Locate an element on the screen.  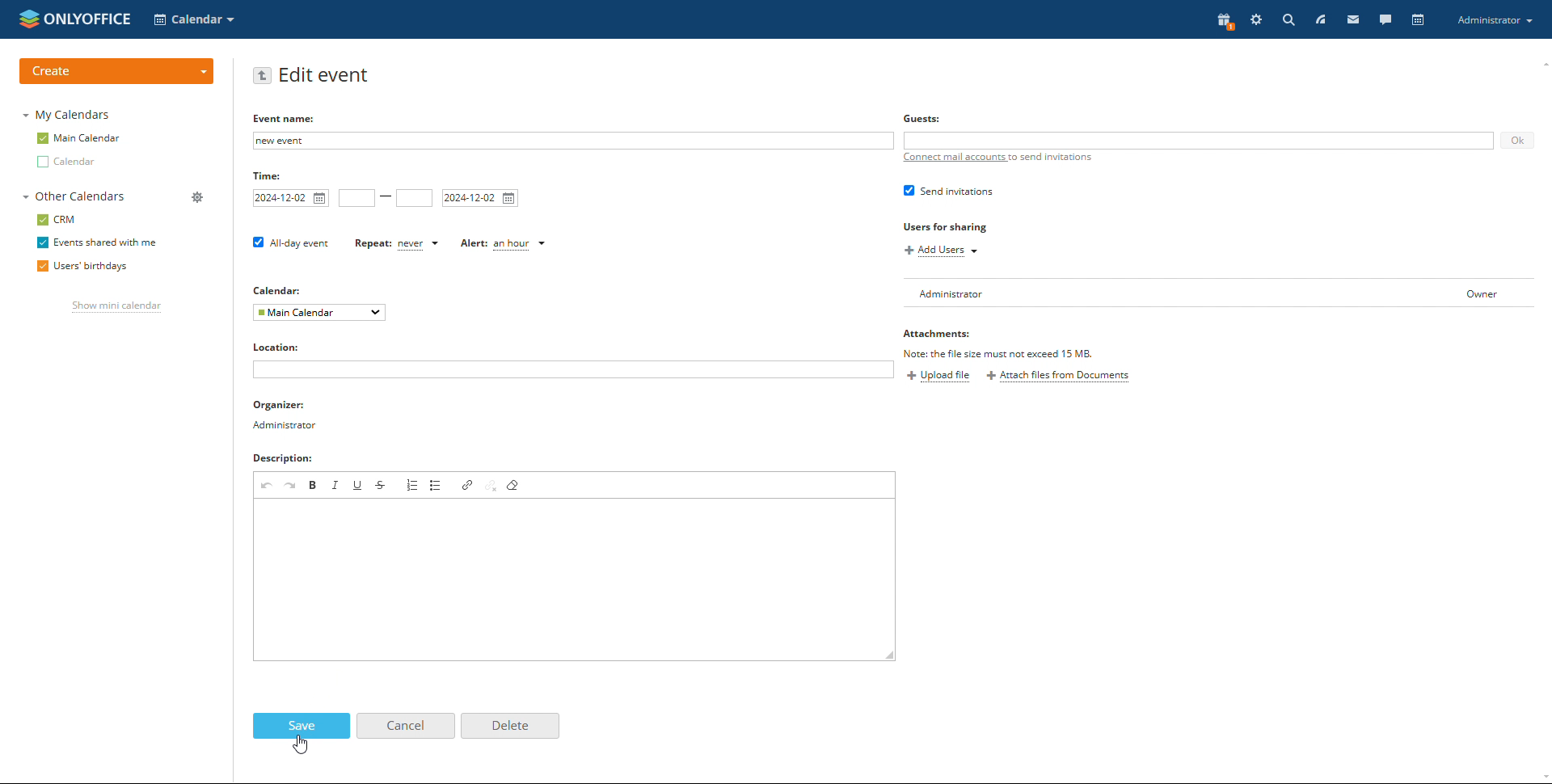
start date is located at coordinates (291, 198).